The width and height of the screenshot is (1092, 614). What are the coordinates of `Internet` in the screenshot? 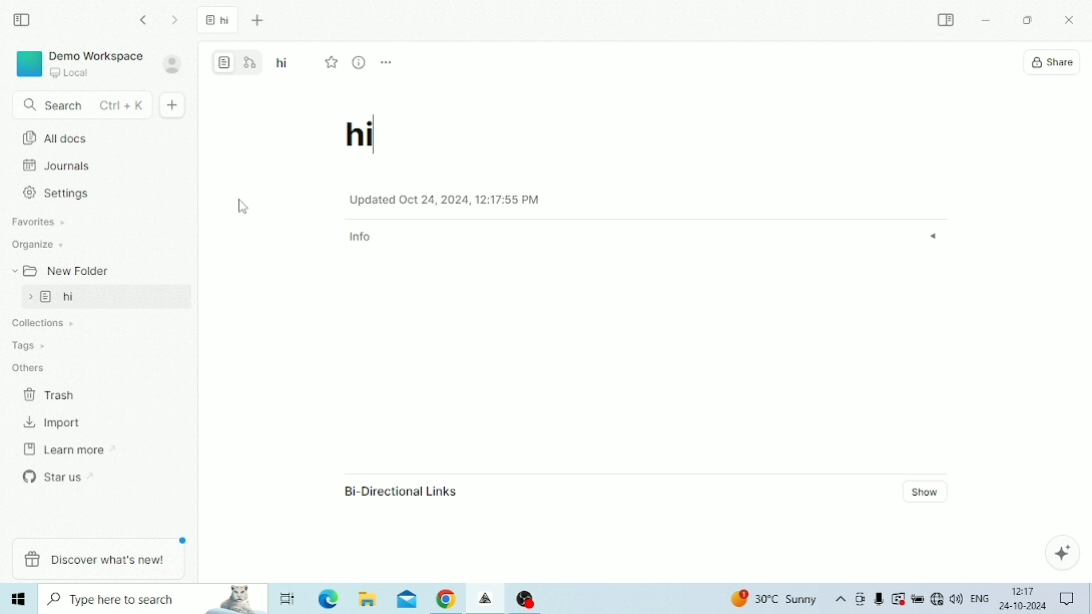 It's located at (936, 599).